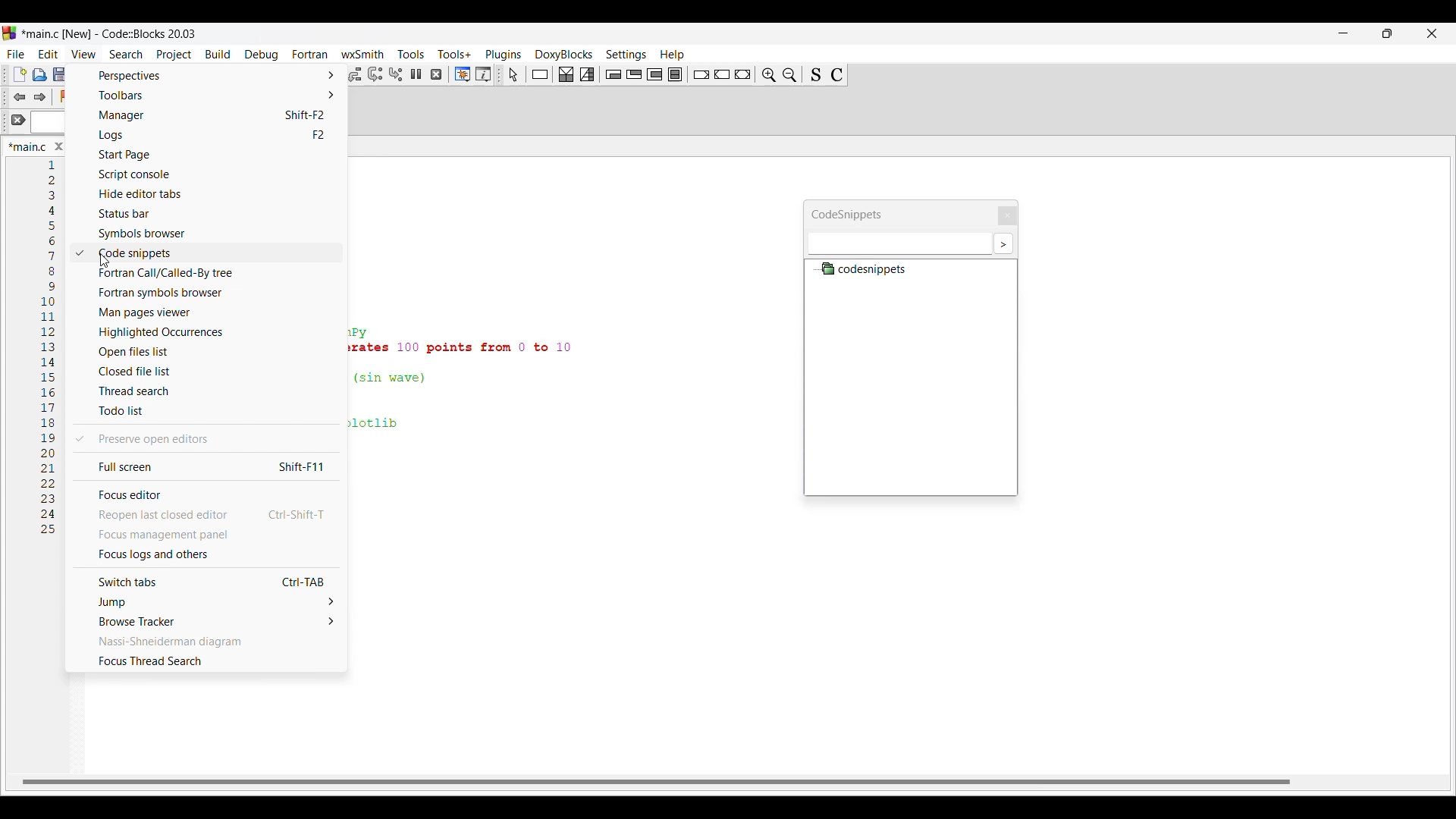 This screenshot has height=819, width=1456. What do you see at coordinates (217, 253) in the screenshot?
I see `Code snippets` at bounding box center [217, 253].